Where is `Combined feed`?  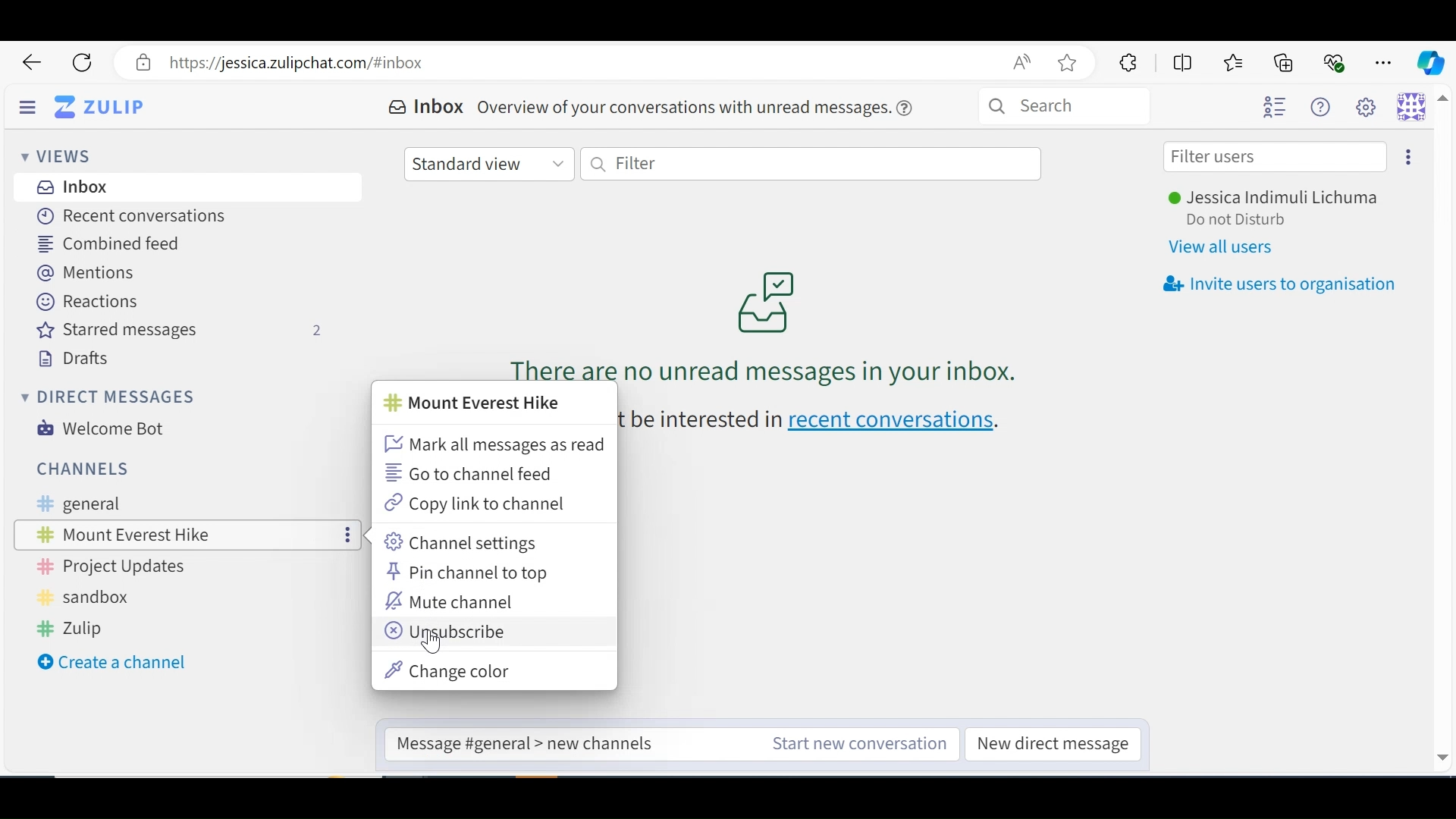 Combined feed is located at coordinates (115, 244).